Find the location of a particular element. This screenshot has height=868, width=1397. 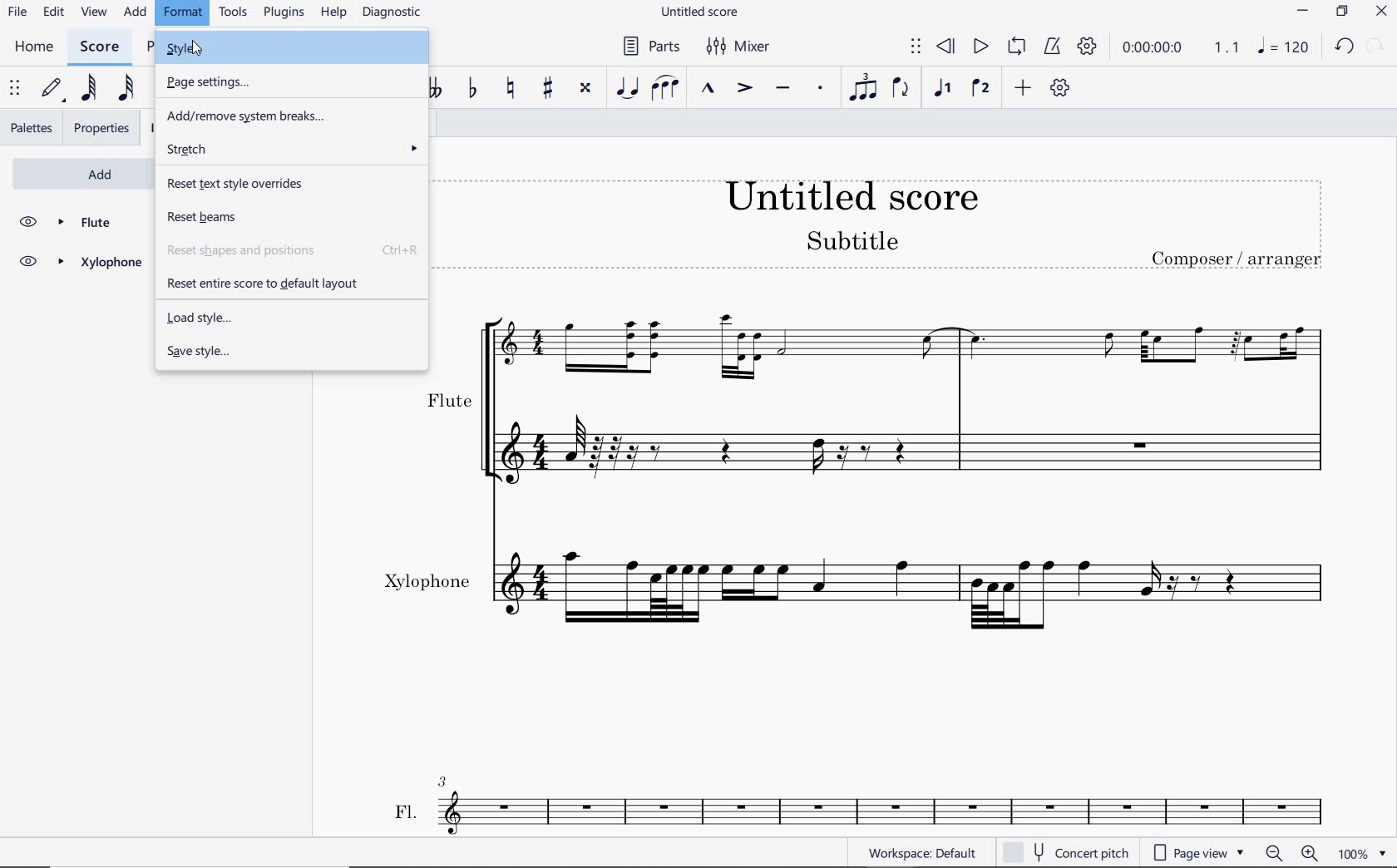

DIAGNOSTIC is located at coordinates (392, 13).